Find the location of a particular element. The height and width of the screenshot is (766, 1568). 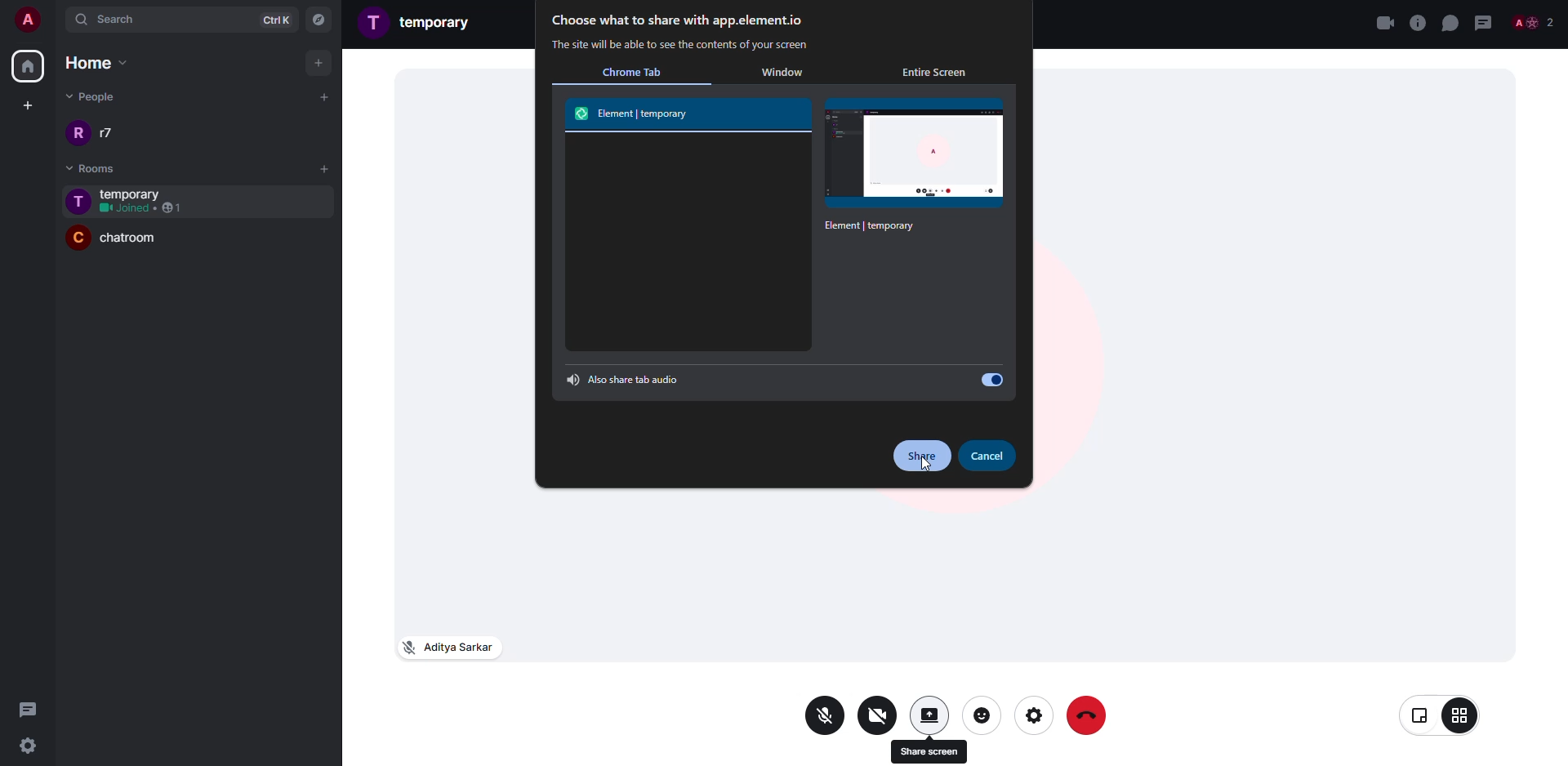

end call is located at coordinates (1090, 716).